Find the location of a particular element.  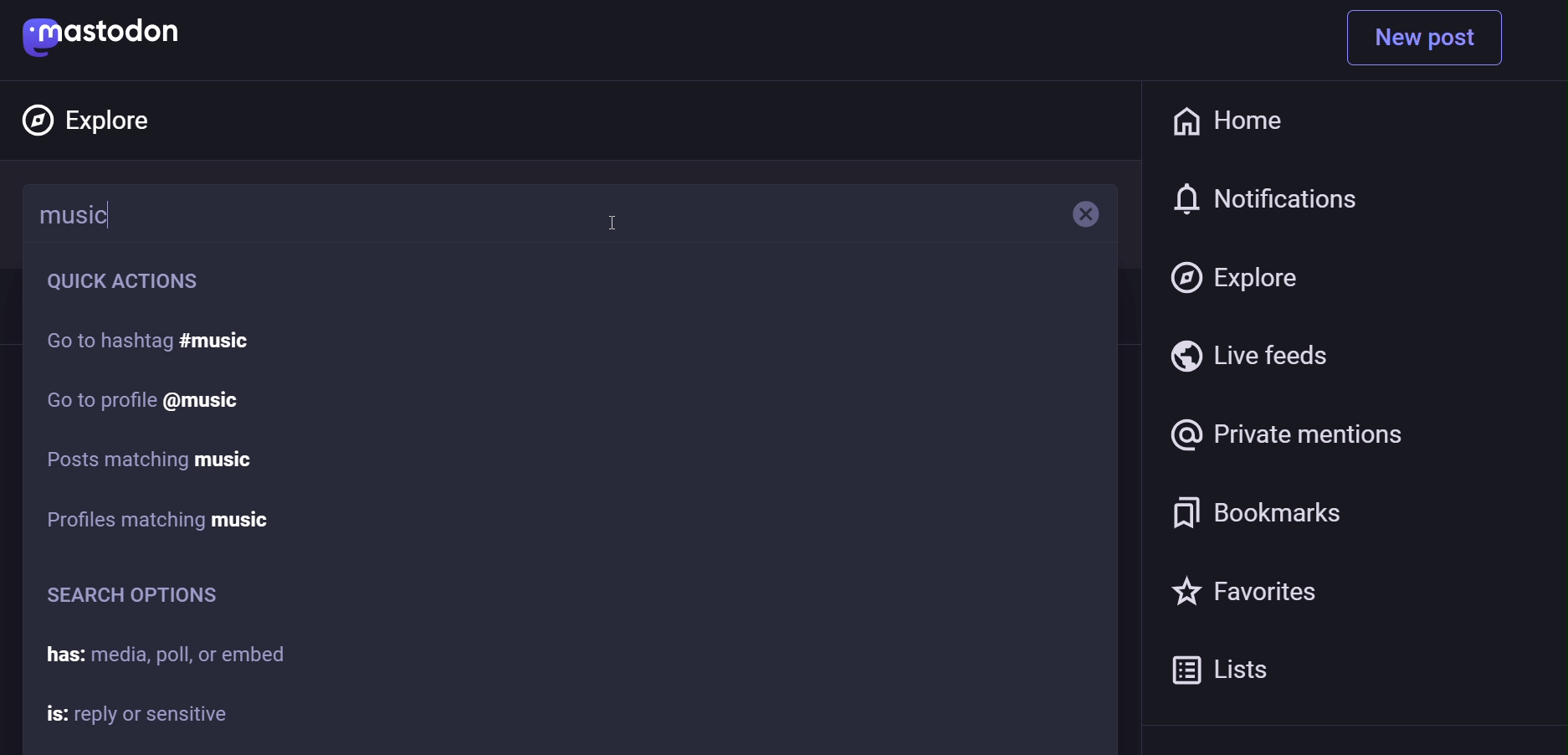

is is located at coordinates (149, 713).